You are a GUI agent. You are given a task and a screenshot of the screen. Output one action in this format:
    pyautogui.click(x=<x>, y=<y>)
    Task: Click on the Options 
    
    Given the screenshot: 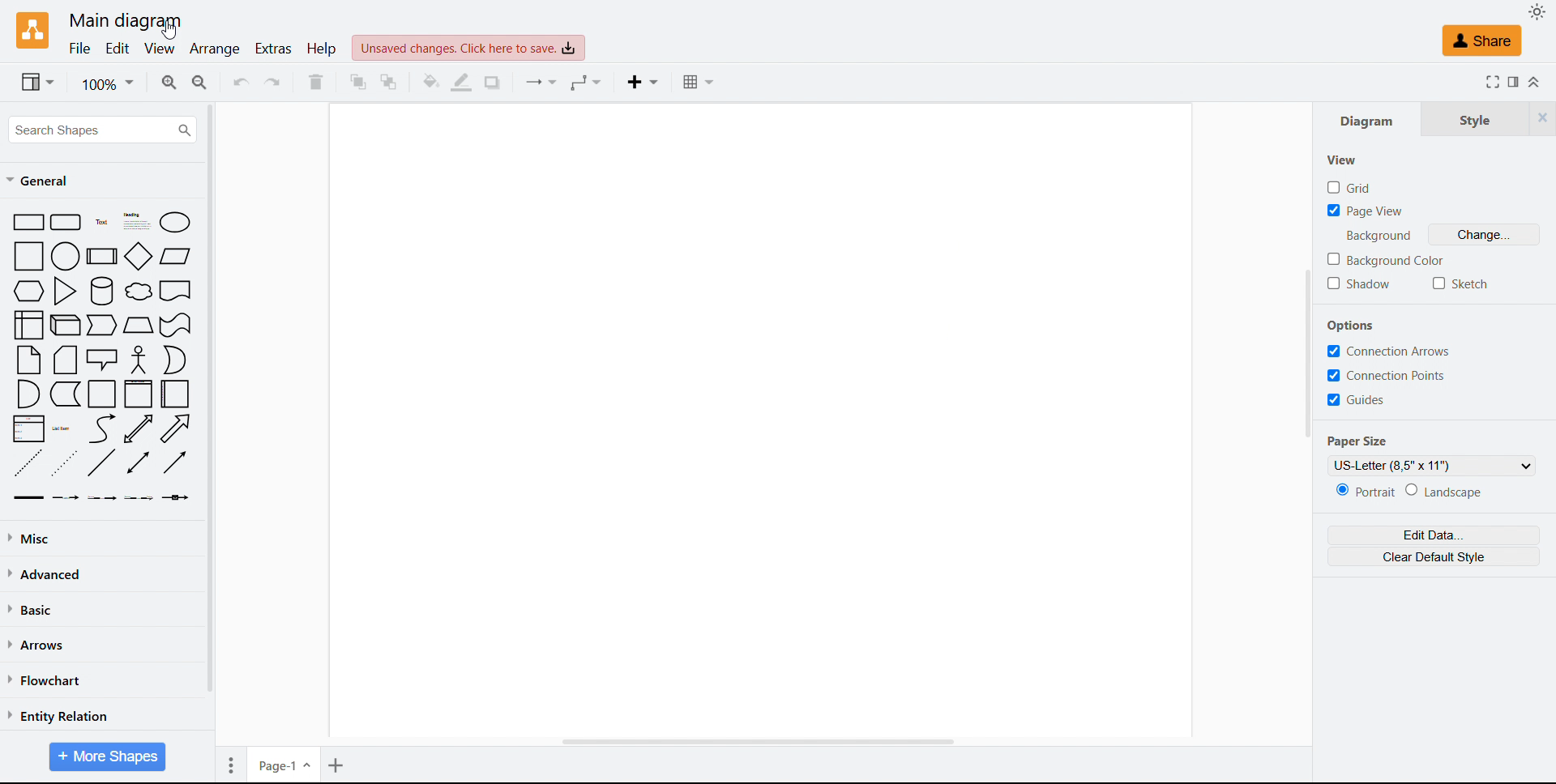 What is the action you would take?
    pyautogui.click(x=1352, y=326)
    